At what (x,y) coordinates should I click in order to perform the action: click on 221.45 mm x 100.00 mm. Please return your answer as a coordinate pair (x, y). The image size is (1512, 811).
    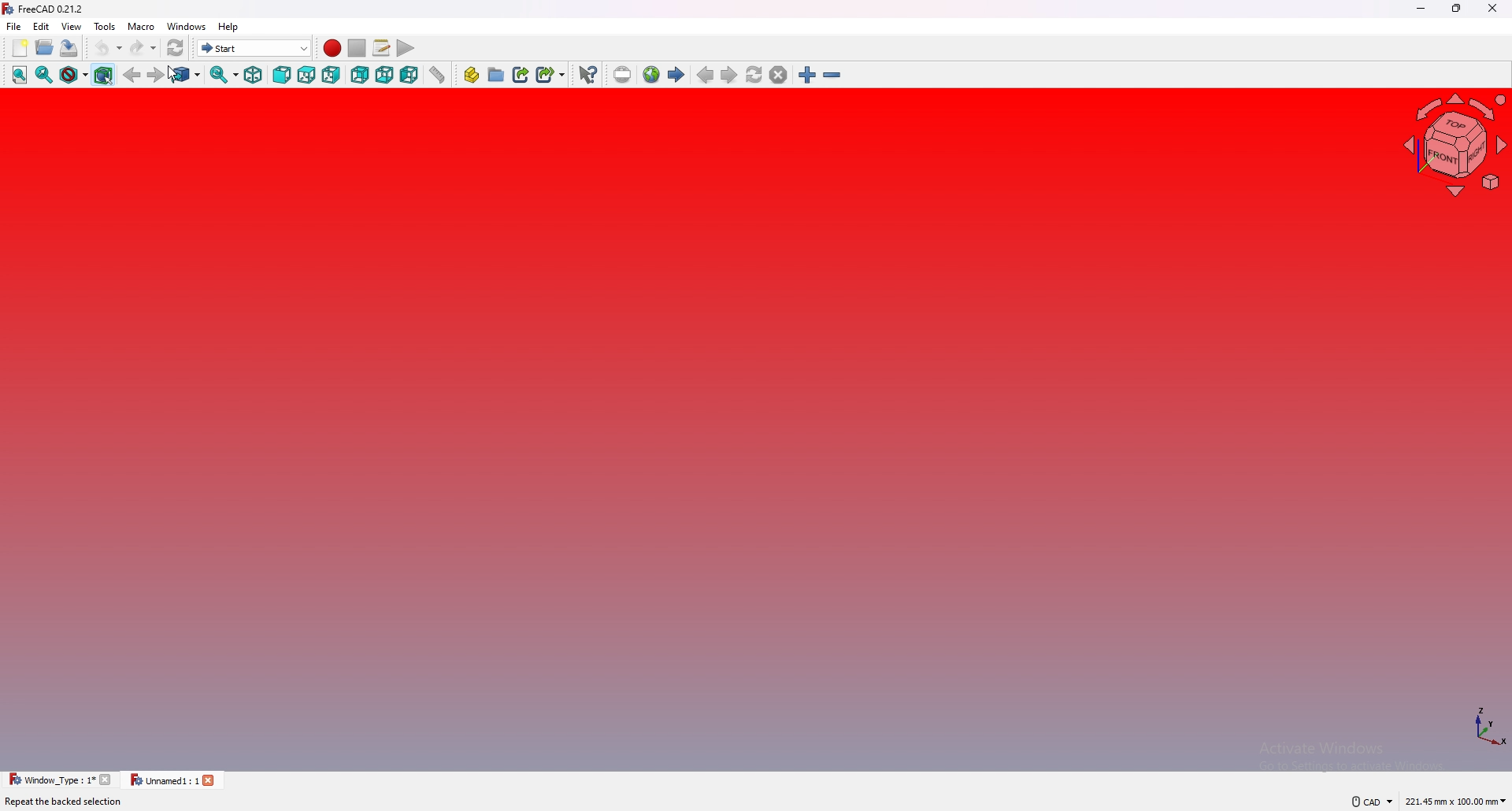
    Looking at the image, I should click on (1457, 799).